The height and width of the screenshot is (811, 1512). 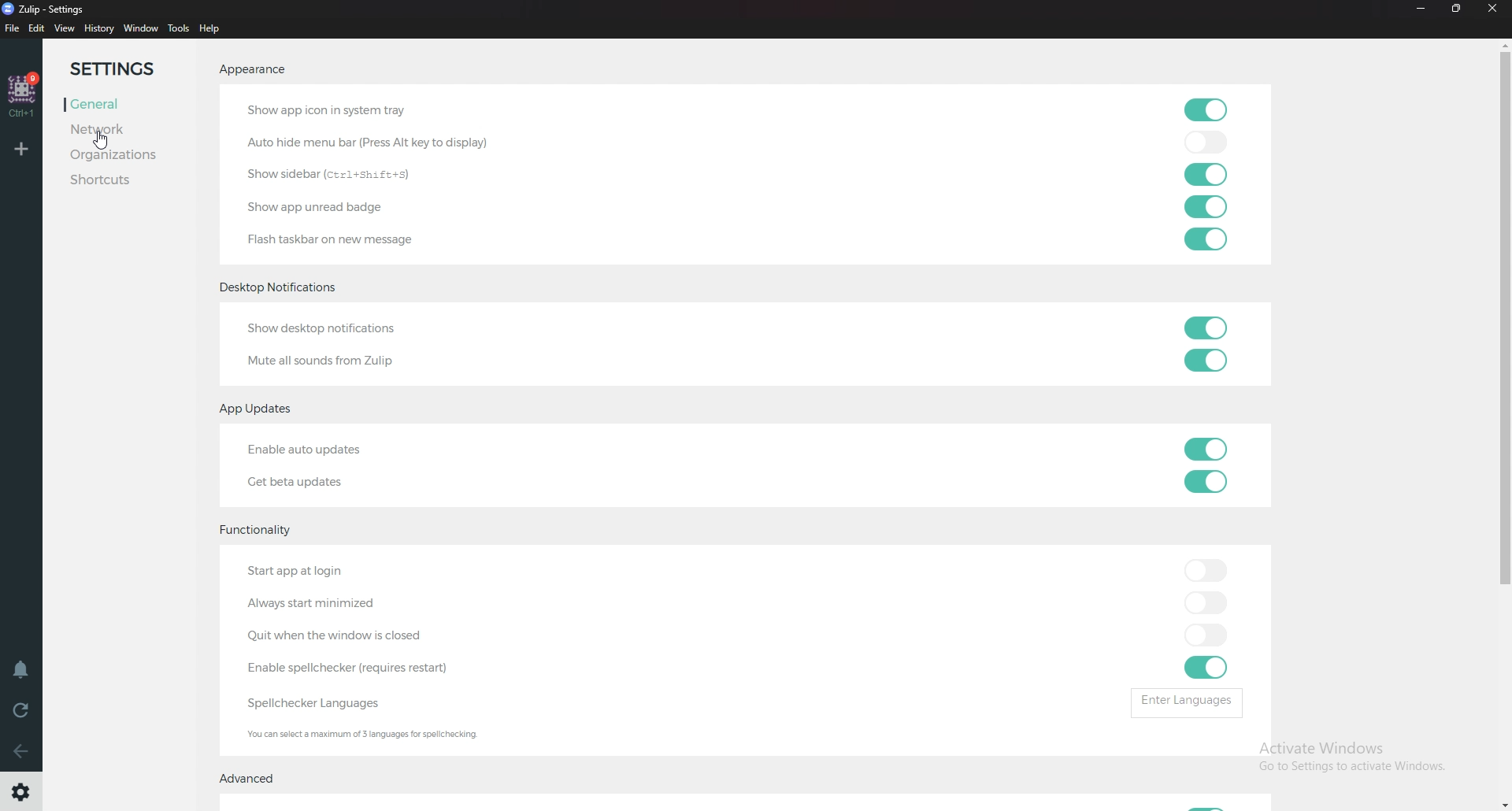 I want to click on toggle, so click(x=1206, y=143).